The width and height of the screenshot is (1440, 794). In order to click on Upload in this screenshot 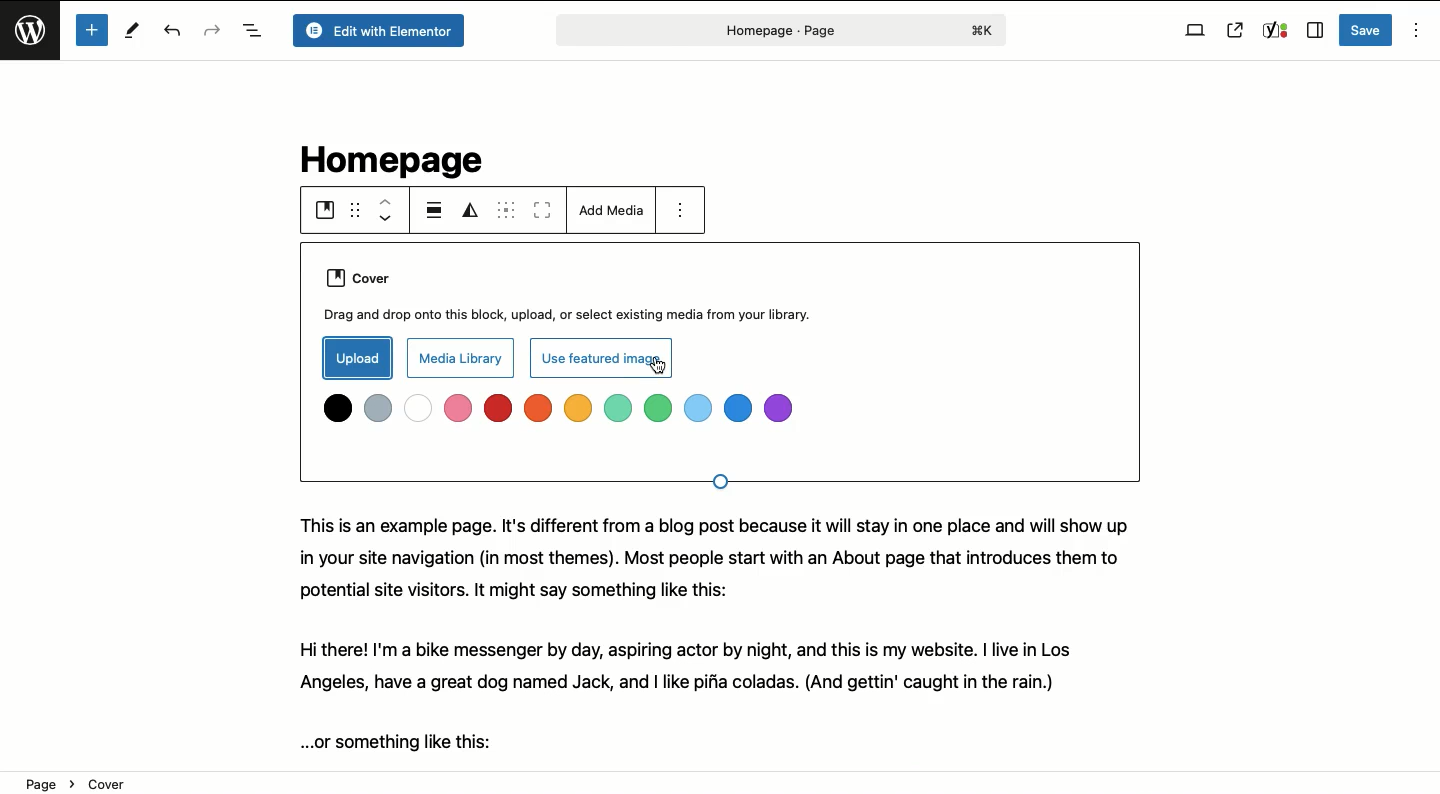, I will do `click(357, 358)`.